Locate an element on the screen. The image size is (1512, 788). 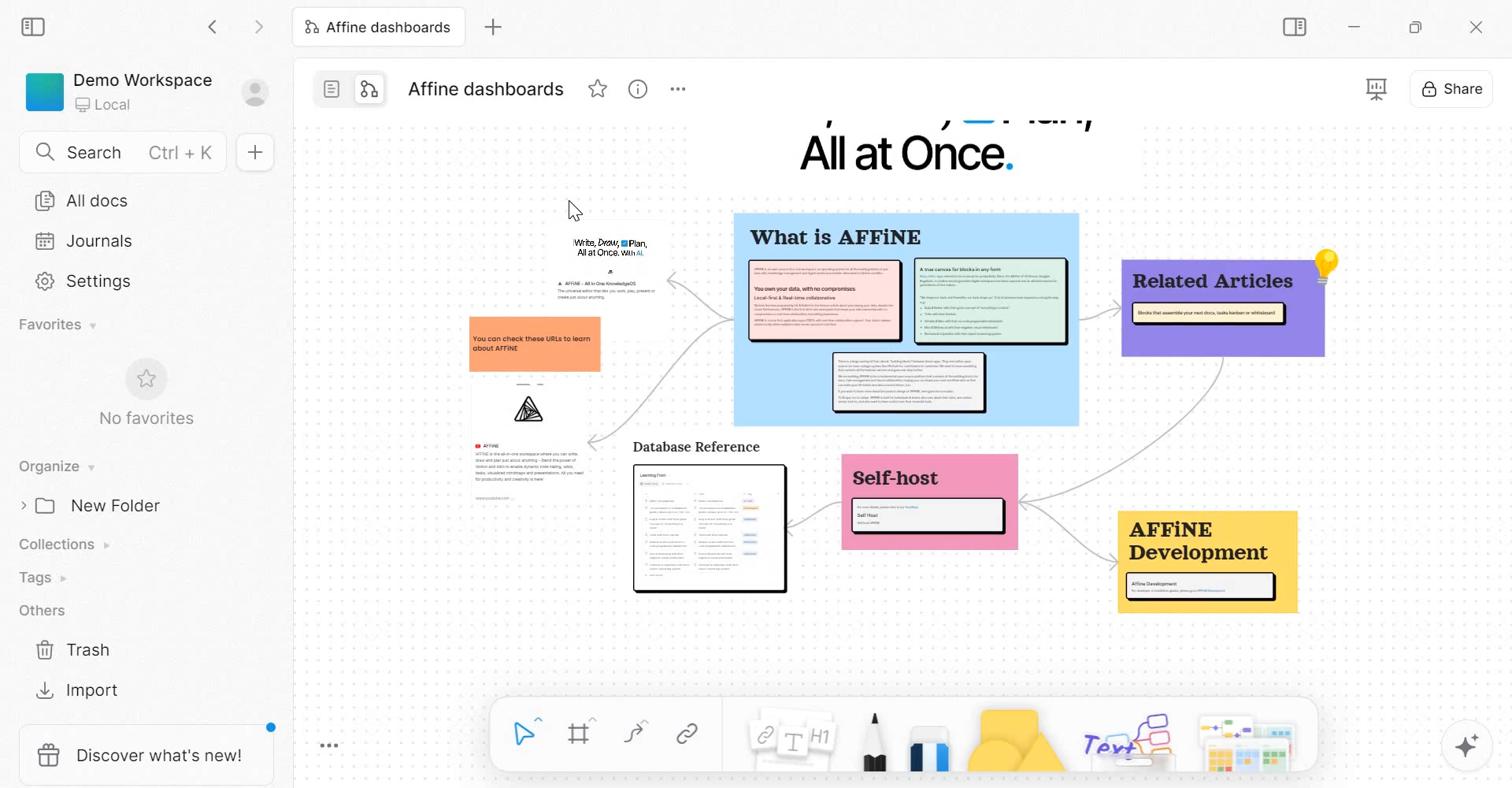
Import is located at coordinates (78, 689).